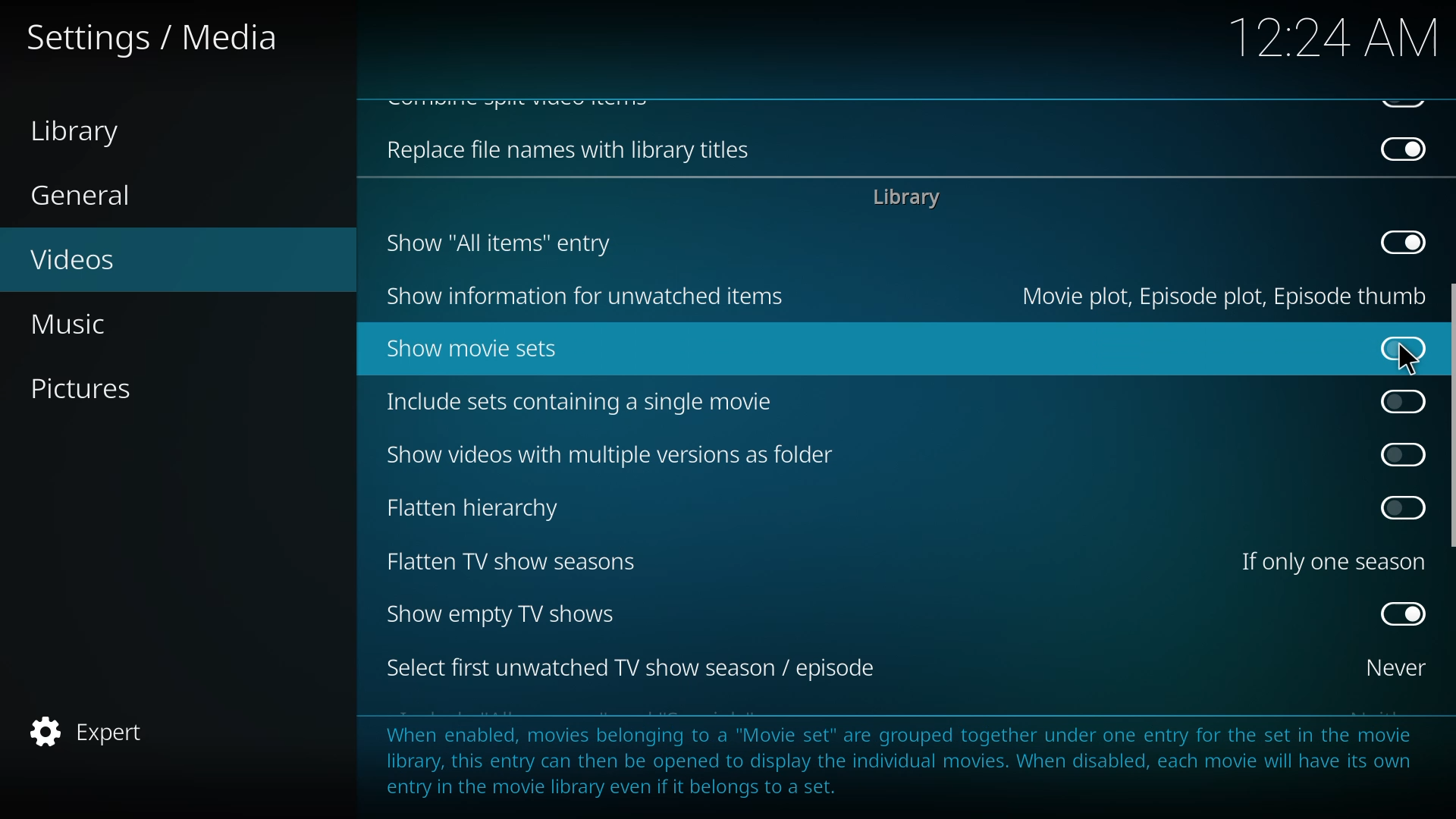  Describe the element at coordinates (1332, 36) in the screenshot. I see `time` at that location.